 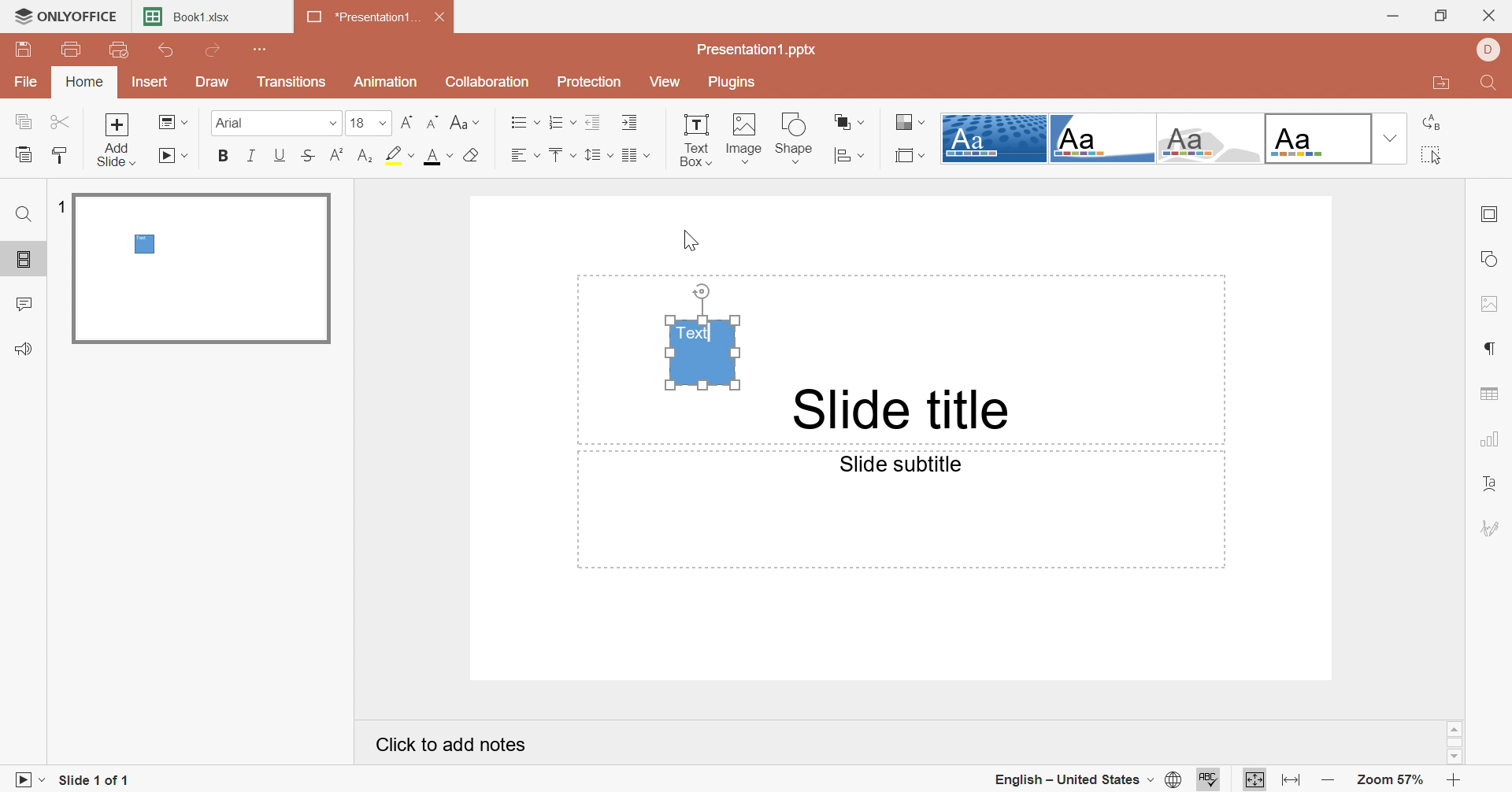 What do you see at coordinates (1070, 781) in the screenshot?
I see `English - United States` at bounding box center [1070, 781].